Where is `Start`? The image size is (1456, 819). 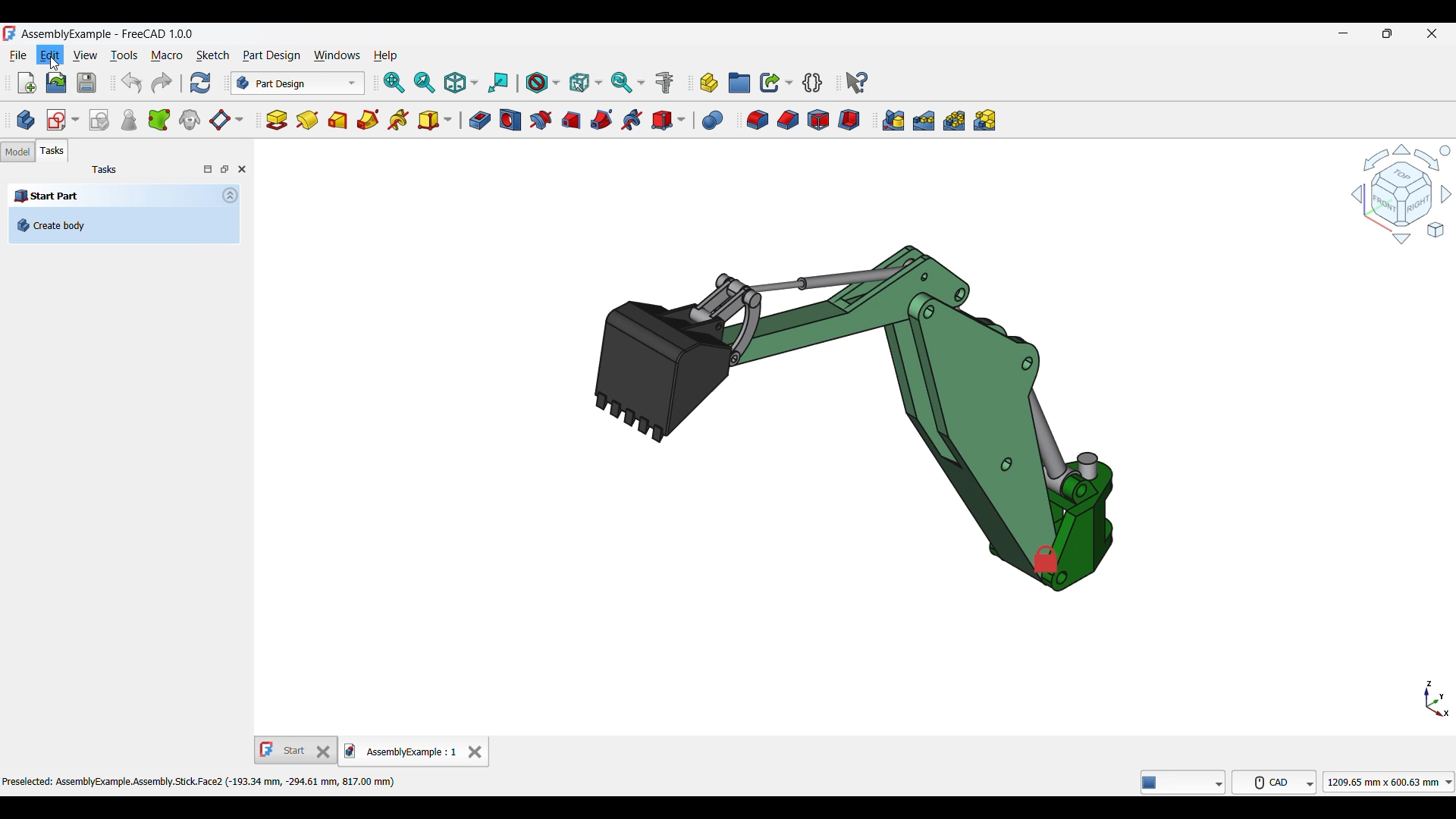
Start is located at coordinates (296, 750).